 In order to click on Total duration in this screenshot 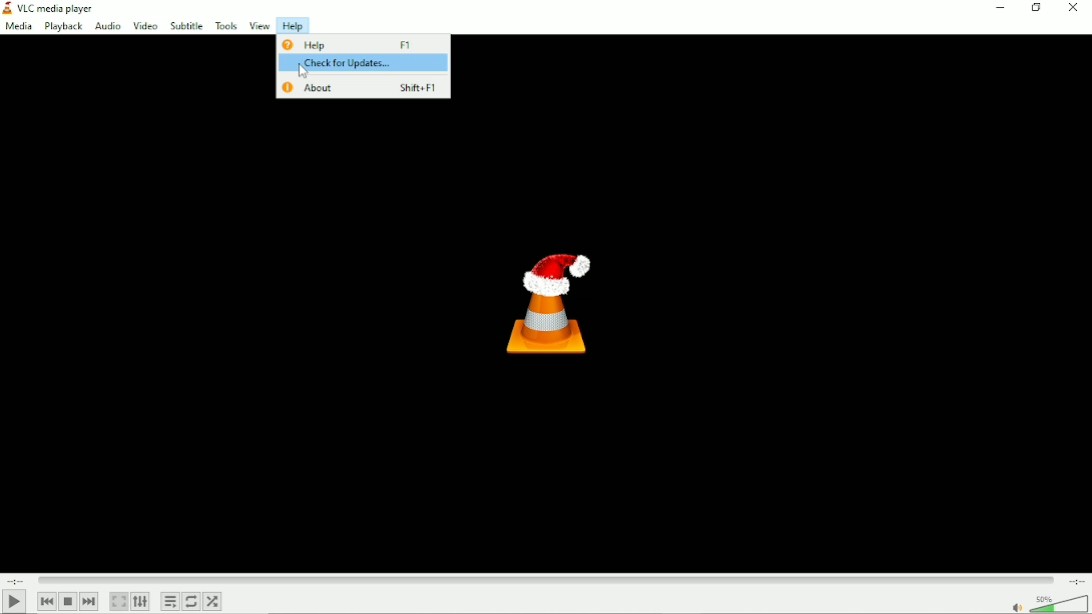, I will do `click(1076, 582)`.